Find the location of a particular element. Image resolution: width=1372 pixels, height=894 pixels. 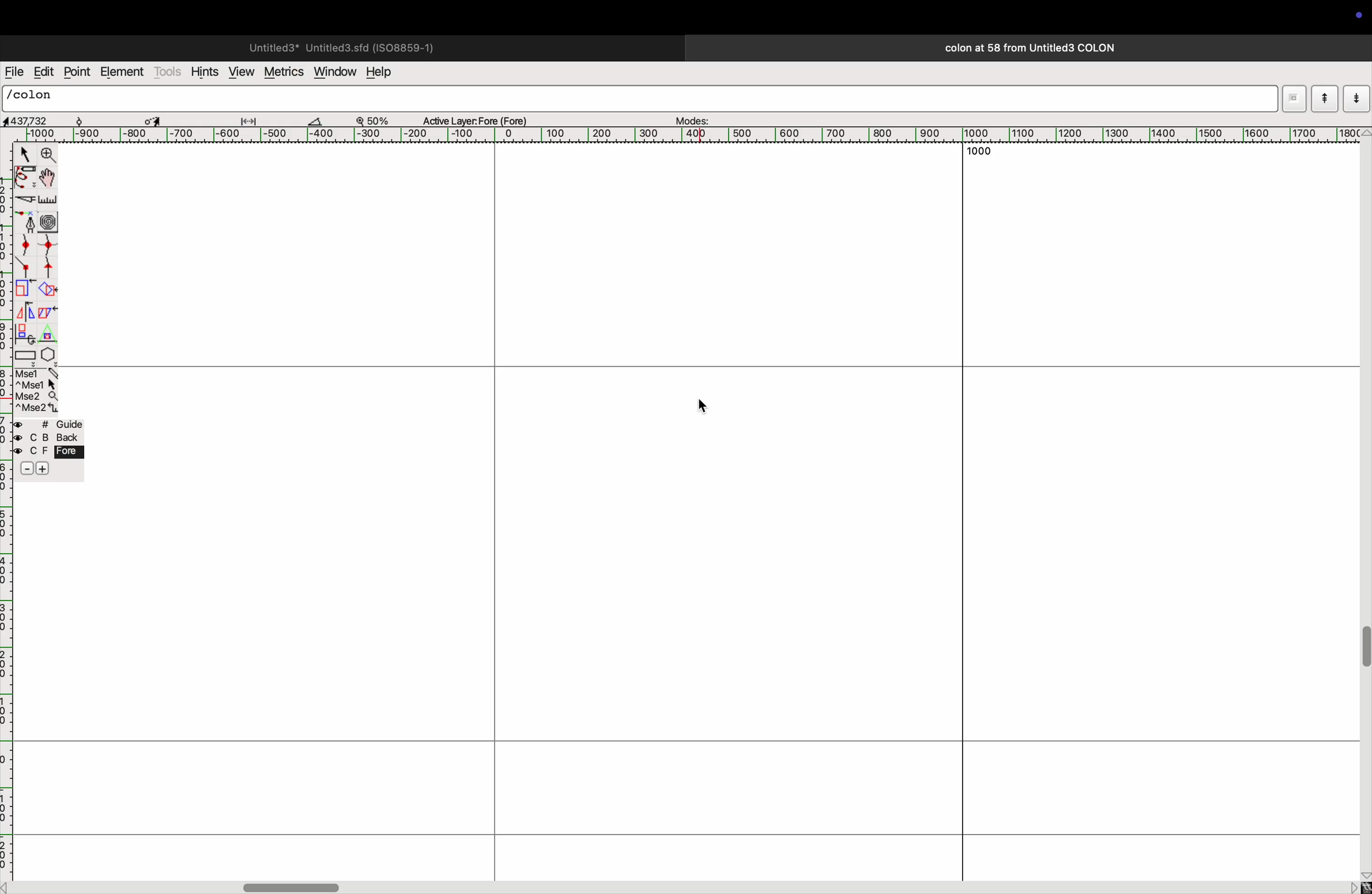

file is located at coordinates (14, 72).